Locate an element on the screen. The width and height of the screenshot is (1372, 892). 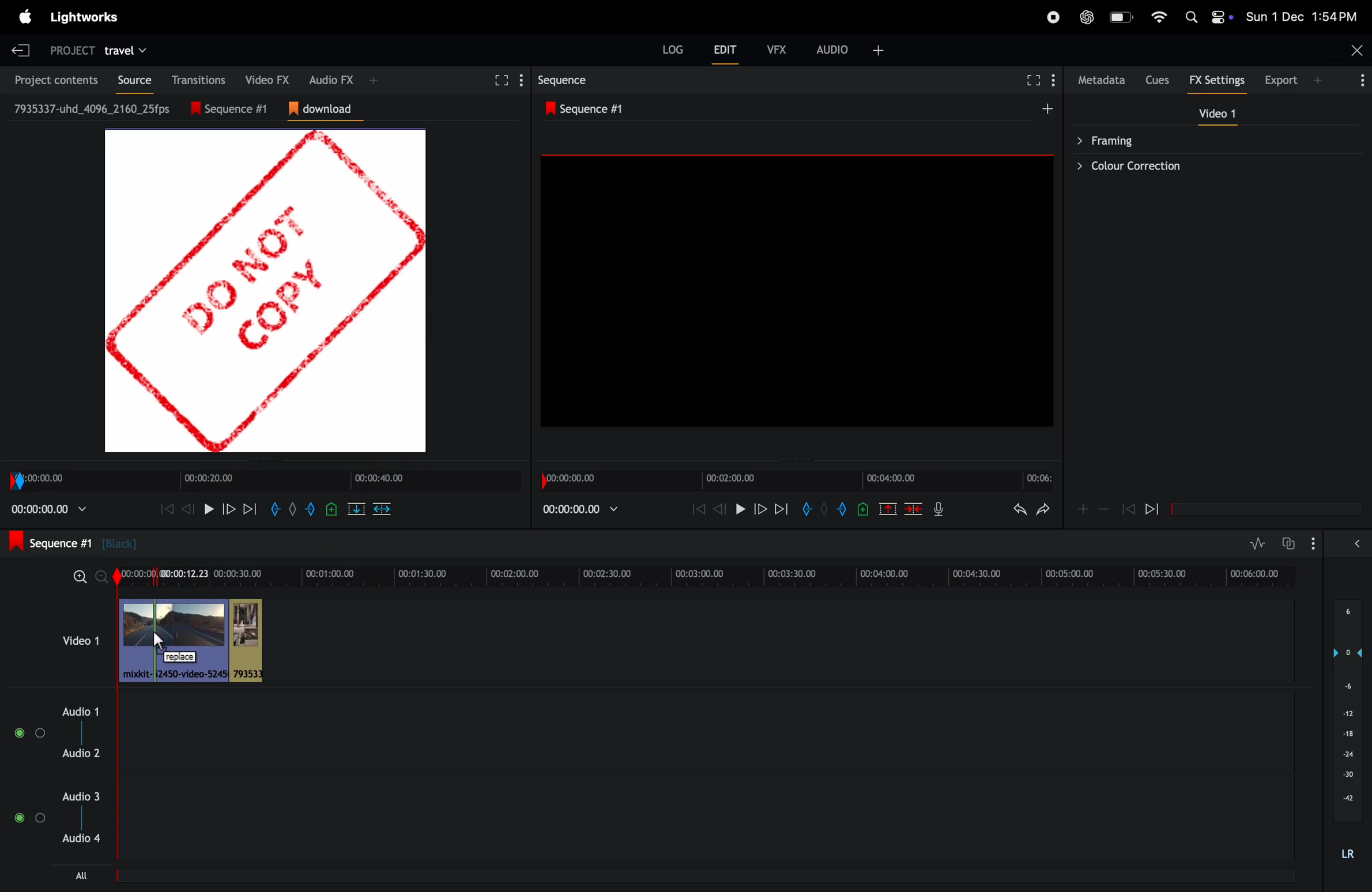
time frame is located at coordinates (265, 481).